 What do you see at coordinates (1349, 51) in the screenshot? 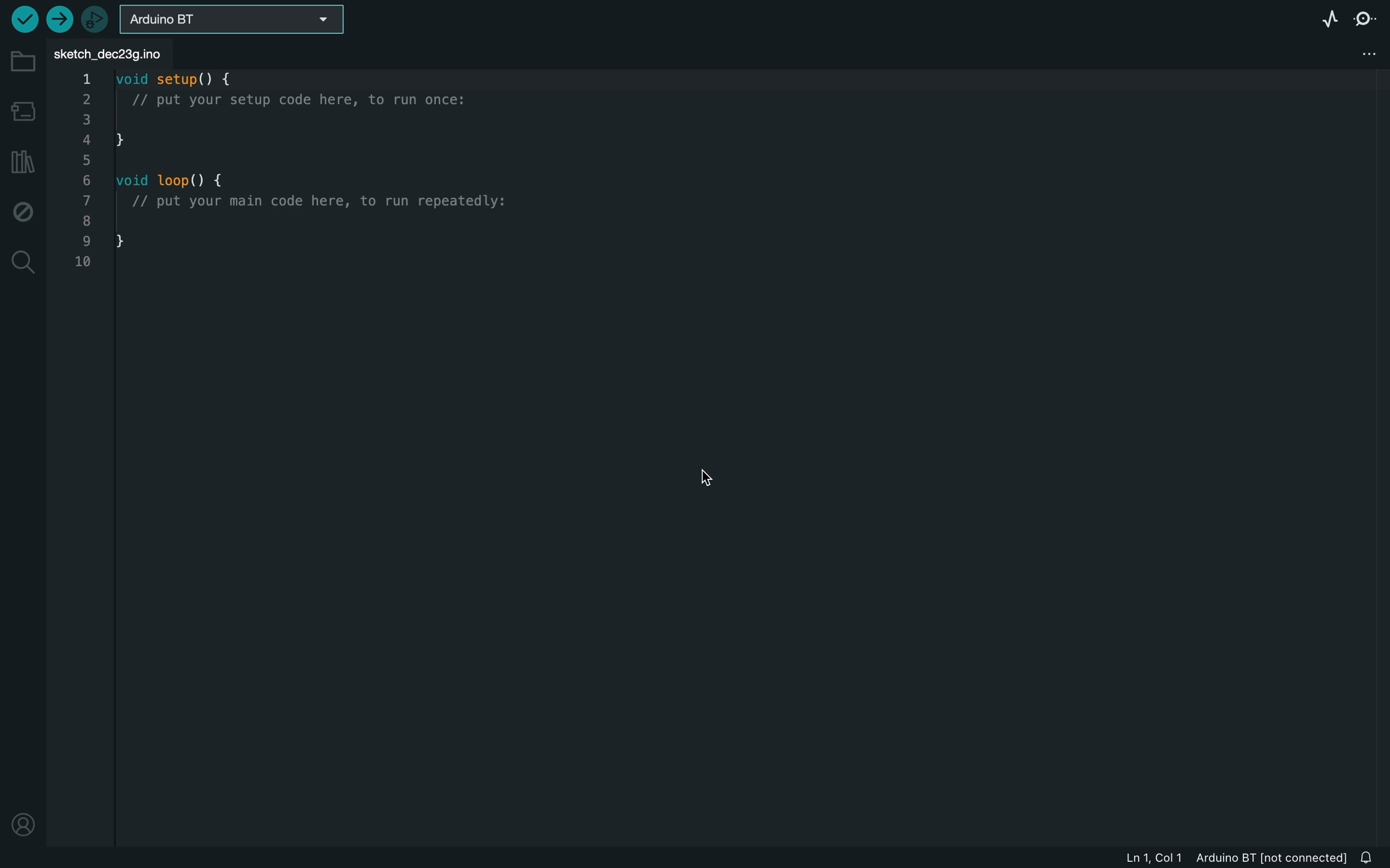
I see `file setting` at bounding box center [1349, 51].